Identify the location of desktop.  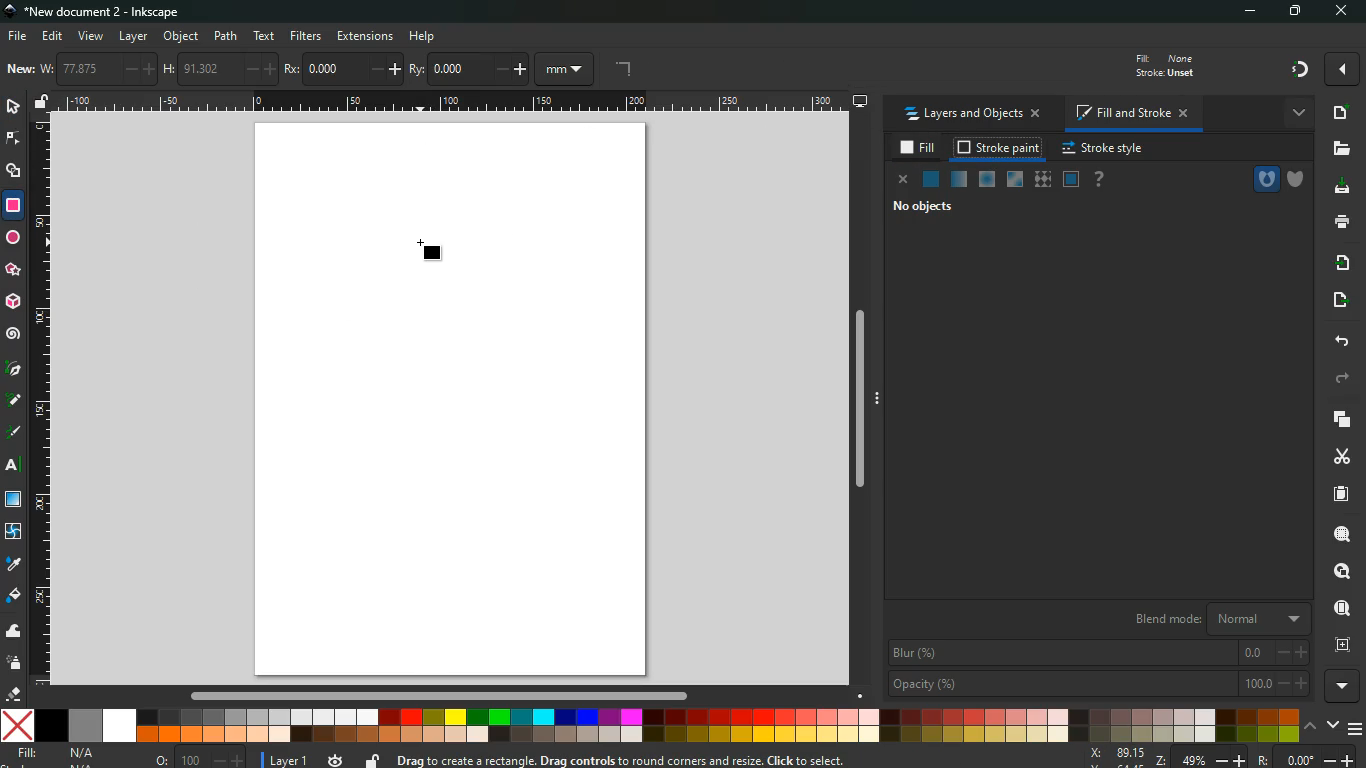
(853, 102).